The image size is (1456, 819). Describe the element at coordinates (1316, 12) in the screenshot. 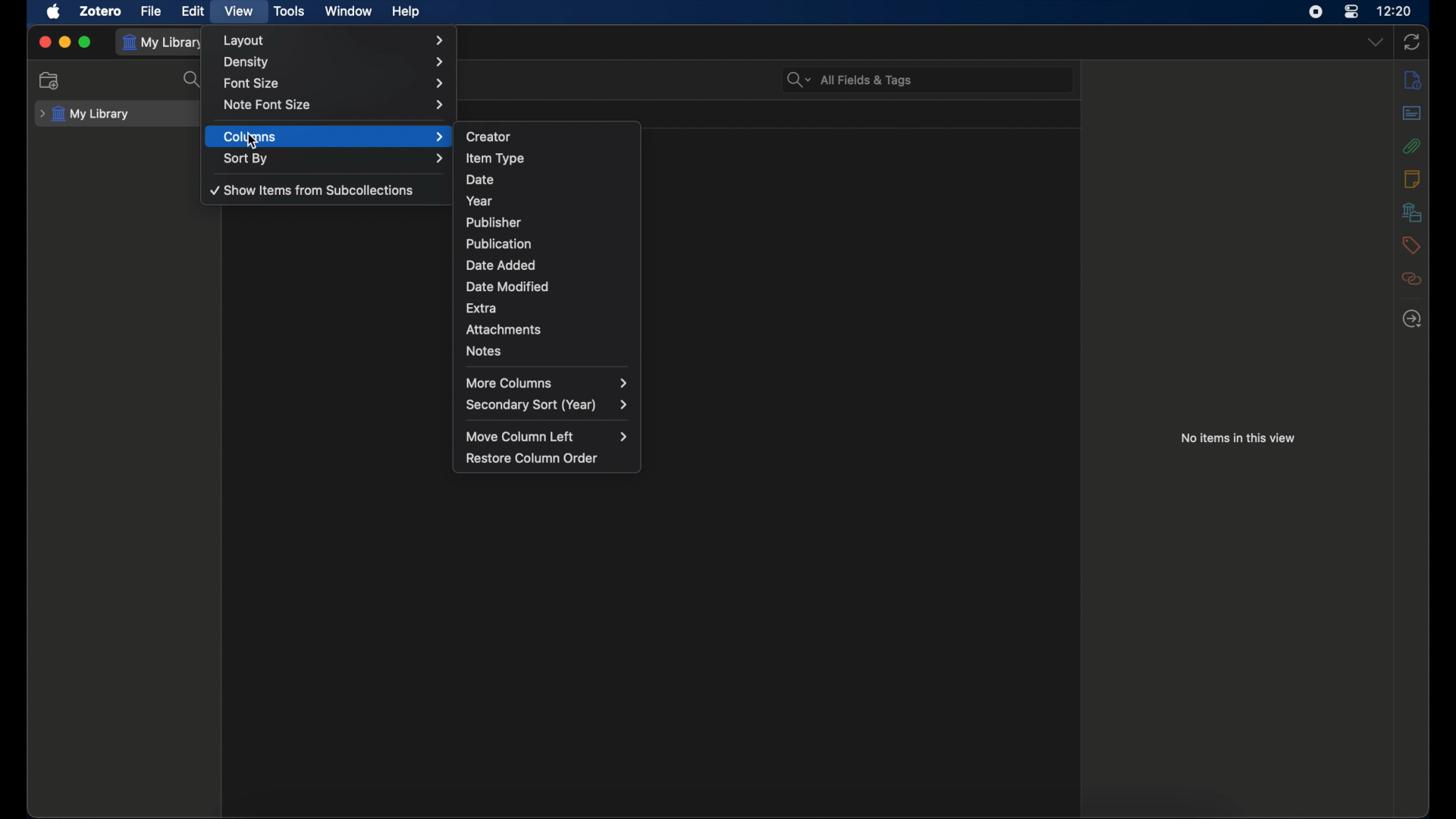

I see `screen recorder` at that location.